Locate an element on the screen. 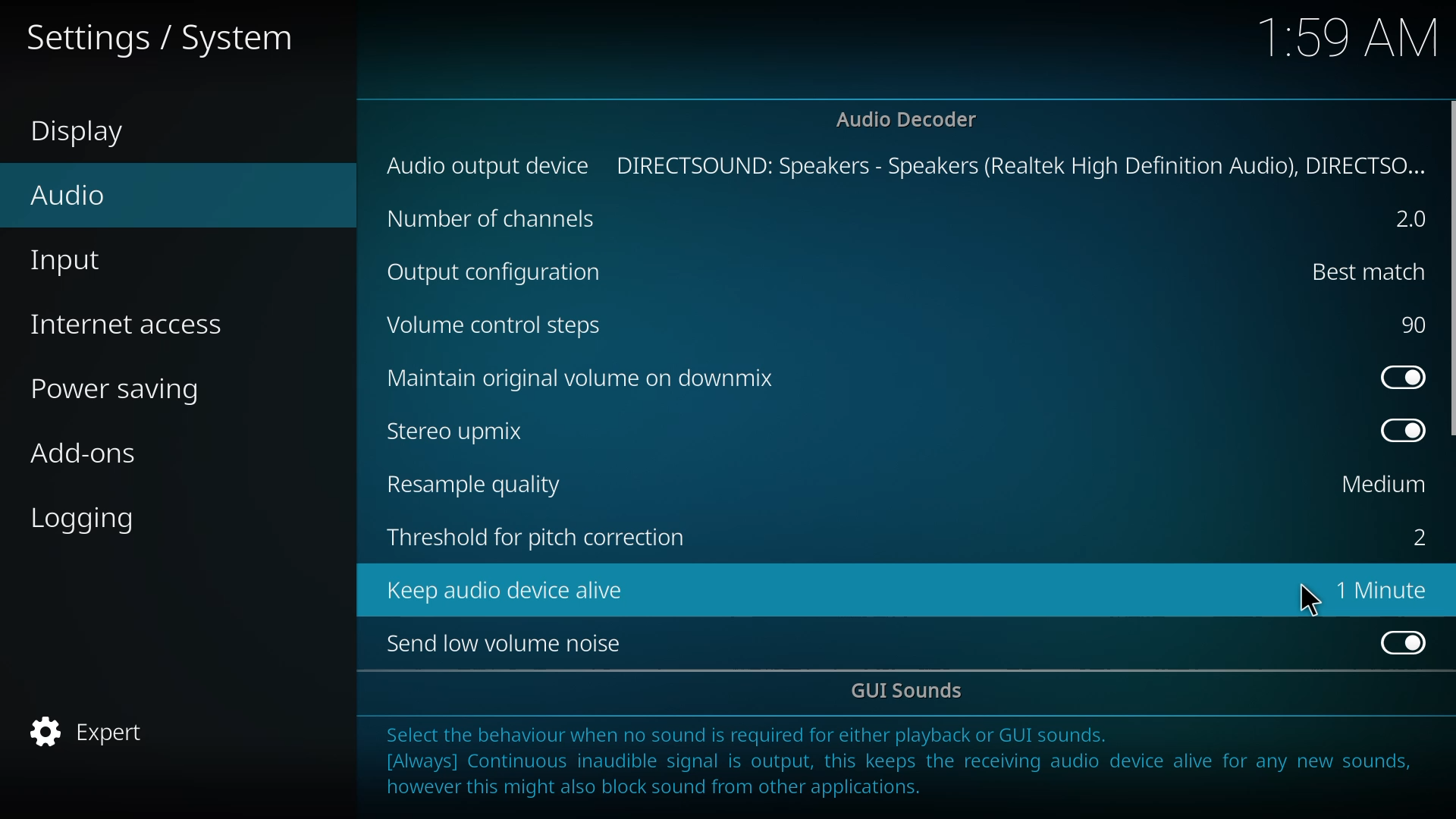 This screenshot has height=819, width=1456. internet access is located at coordinates (133, 325).